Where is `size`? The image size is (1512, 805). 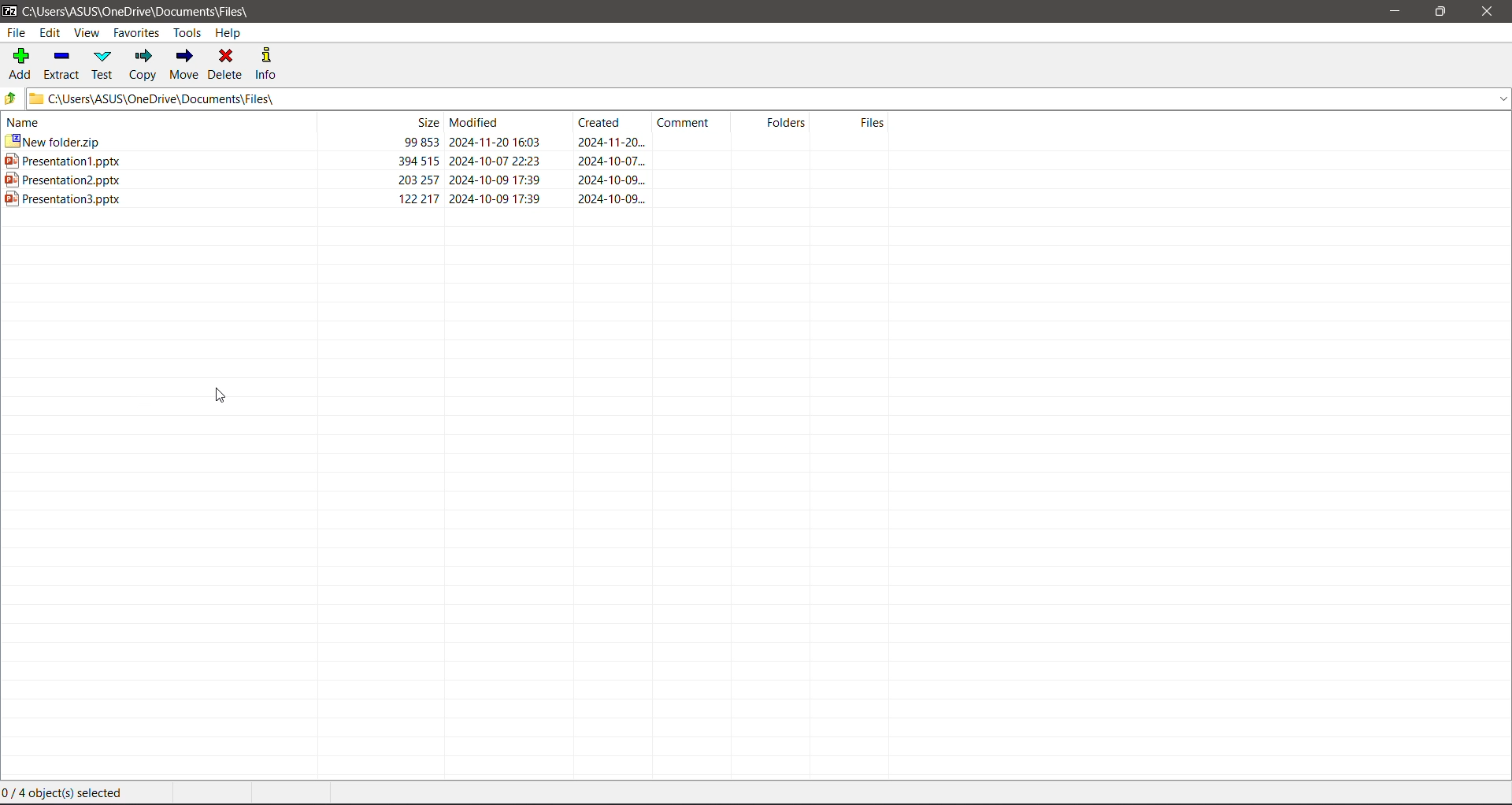
size is located at coordinates (381, 121).